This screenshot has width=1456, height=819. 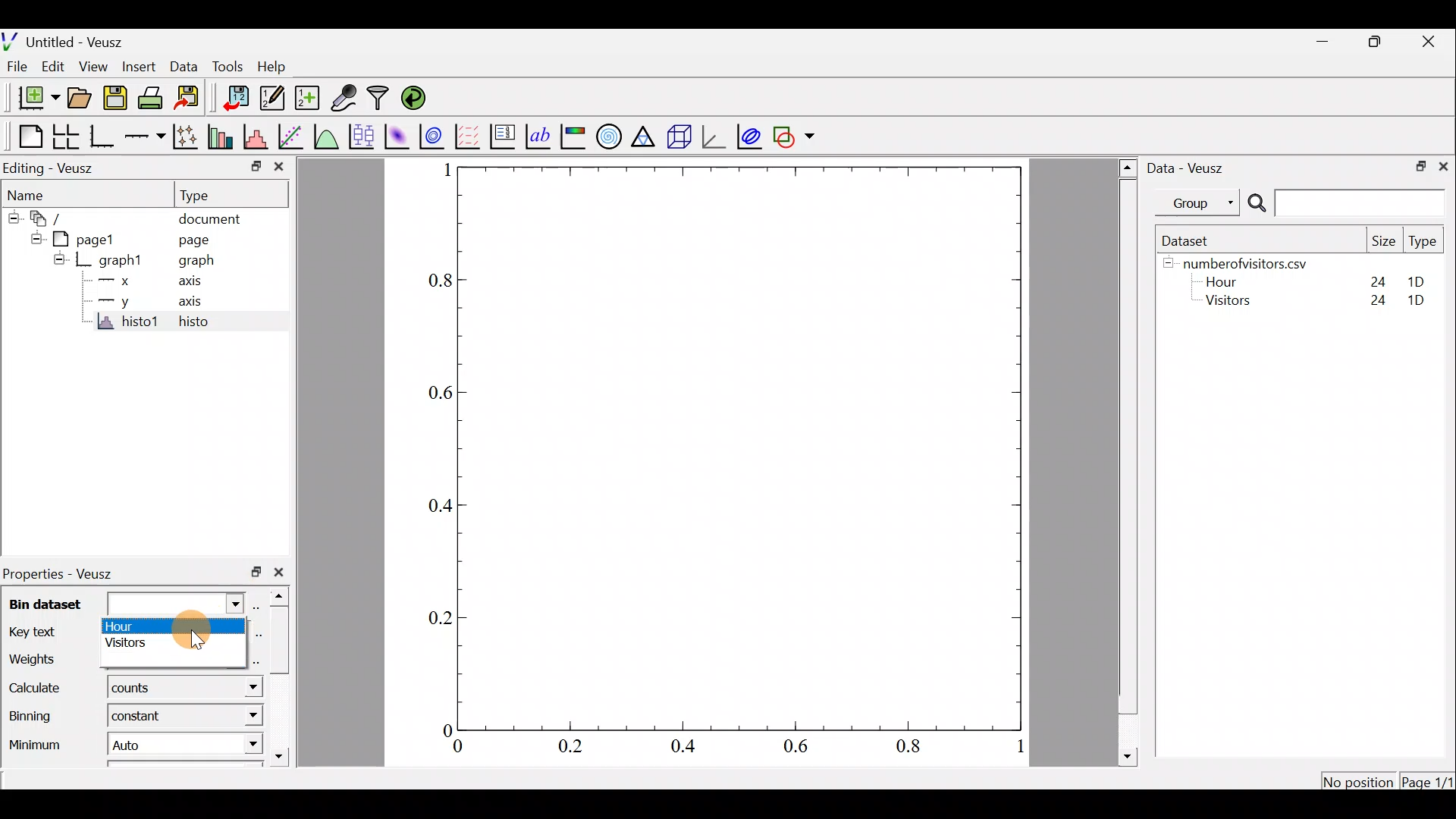 I want to click on Ternary graph, so click(x=642, y=138).